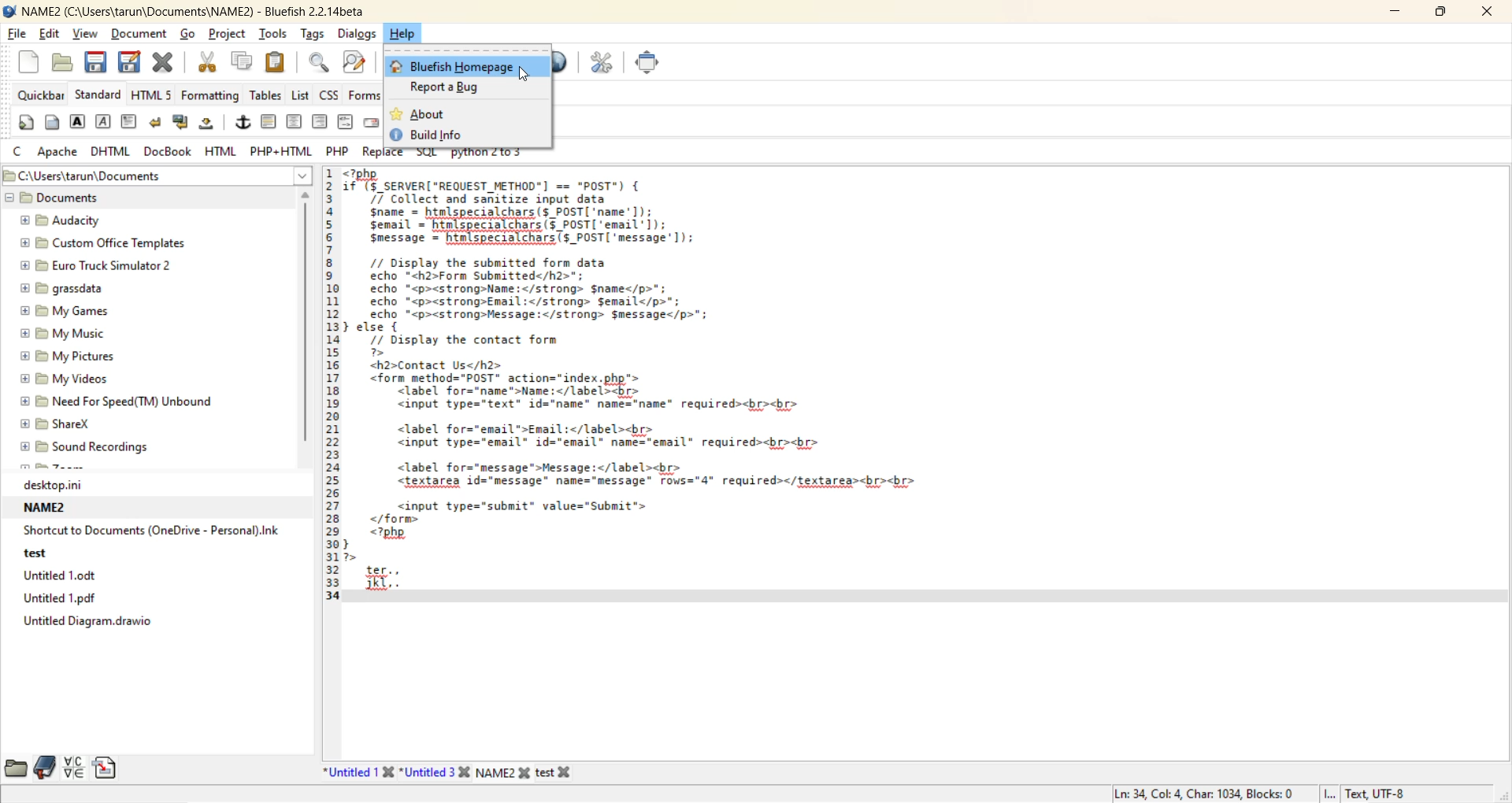 Image resolution: width=1512 pixels, height=803 pixels. What do you see at coordinates (438, 135) in the screenshot?
I see `build info` at bounding box center [438, 135].